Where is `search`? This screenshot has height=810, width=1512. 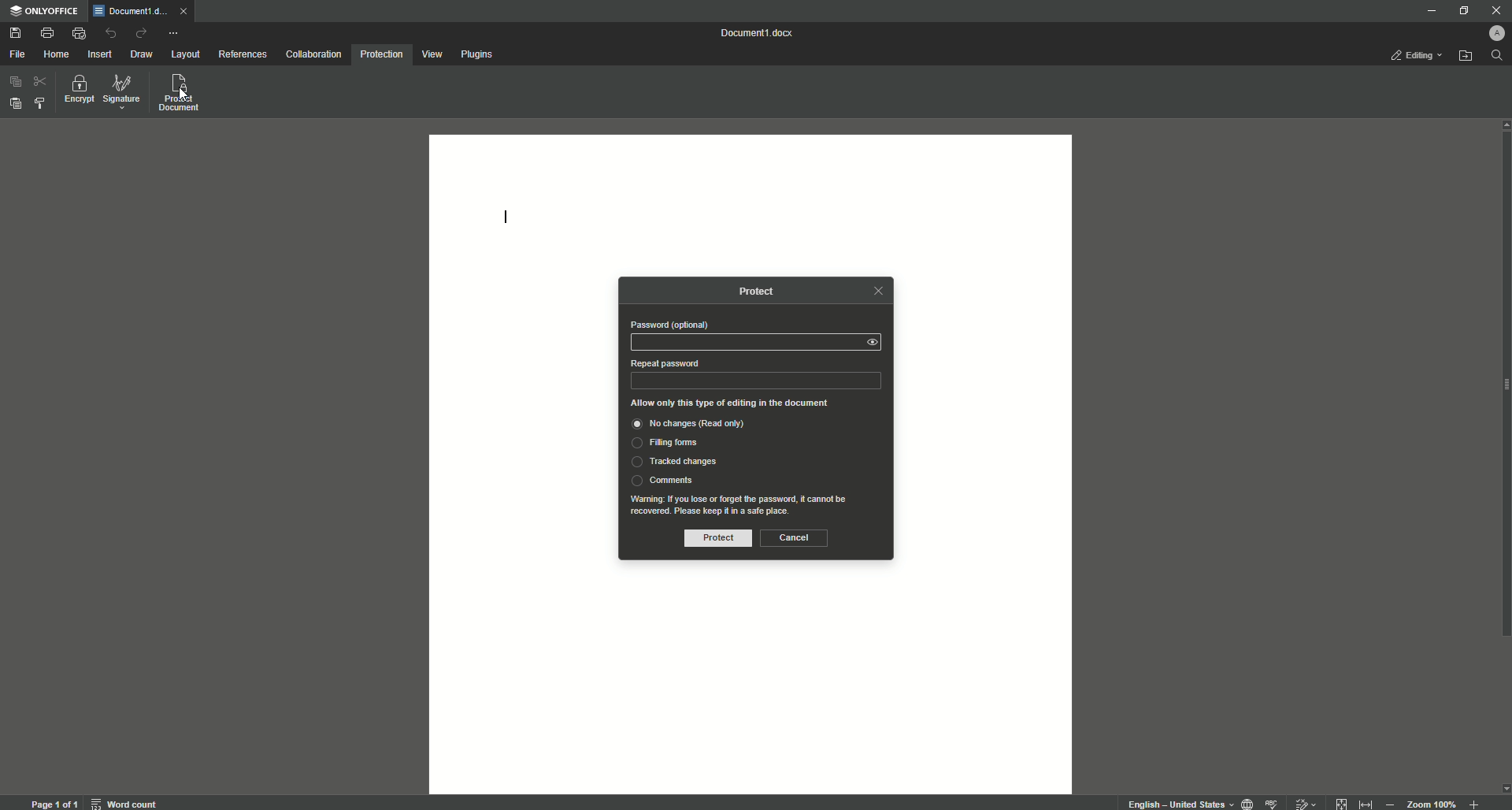
search is located at coordinates (1498, 56).